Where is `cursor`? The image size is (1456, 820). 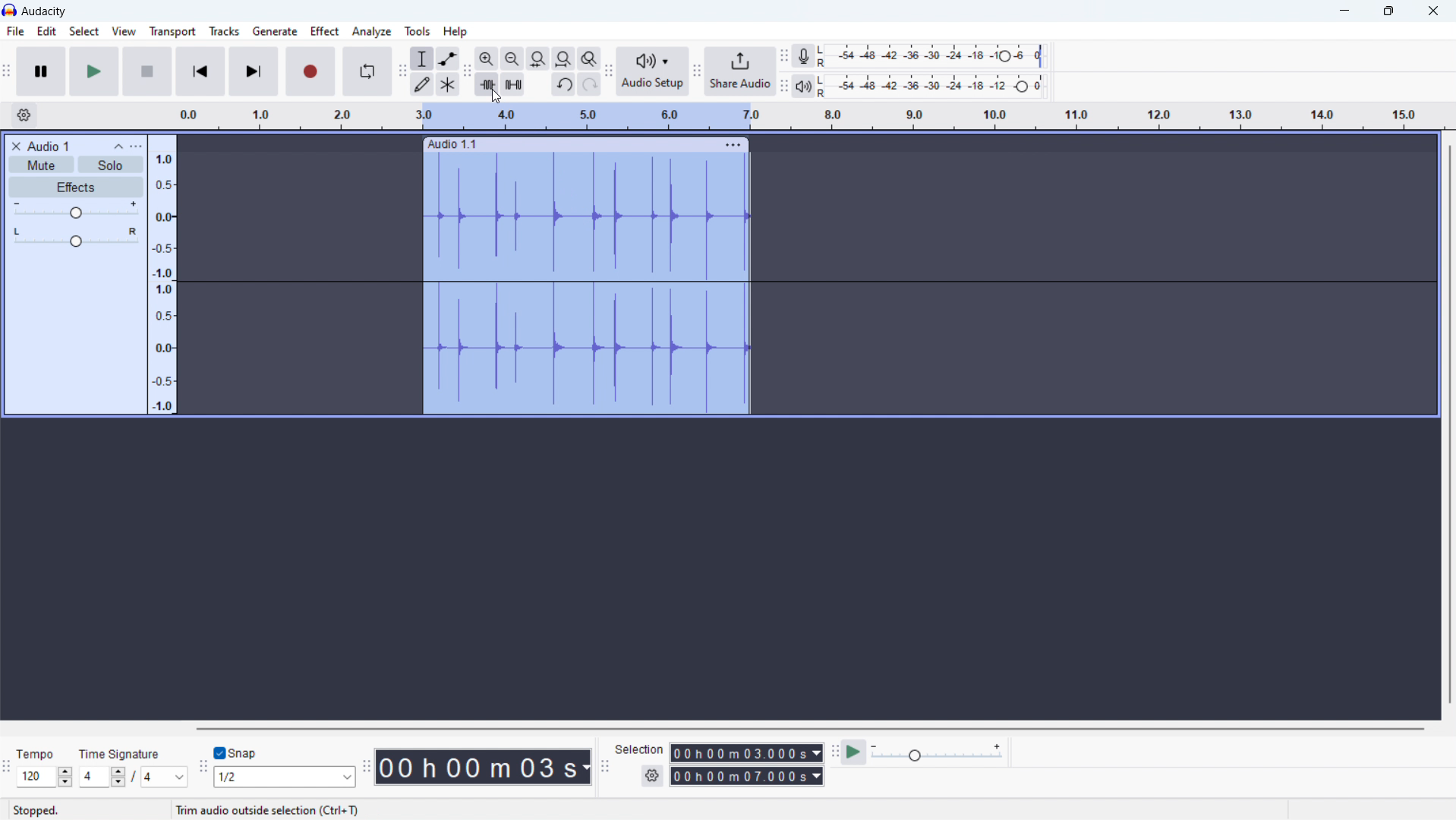 cursor is located at coordinates (496, 96).